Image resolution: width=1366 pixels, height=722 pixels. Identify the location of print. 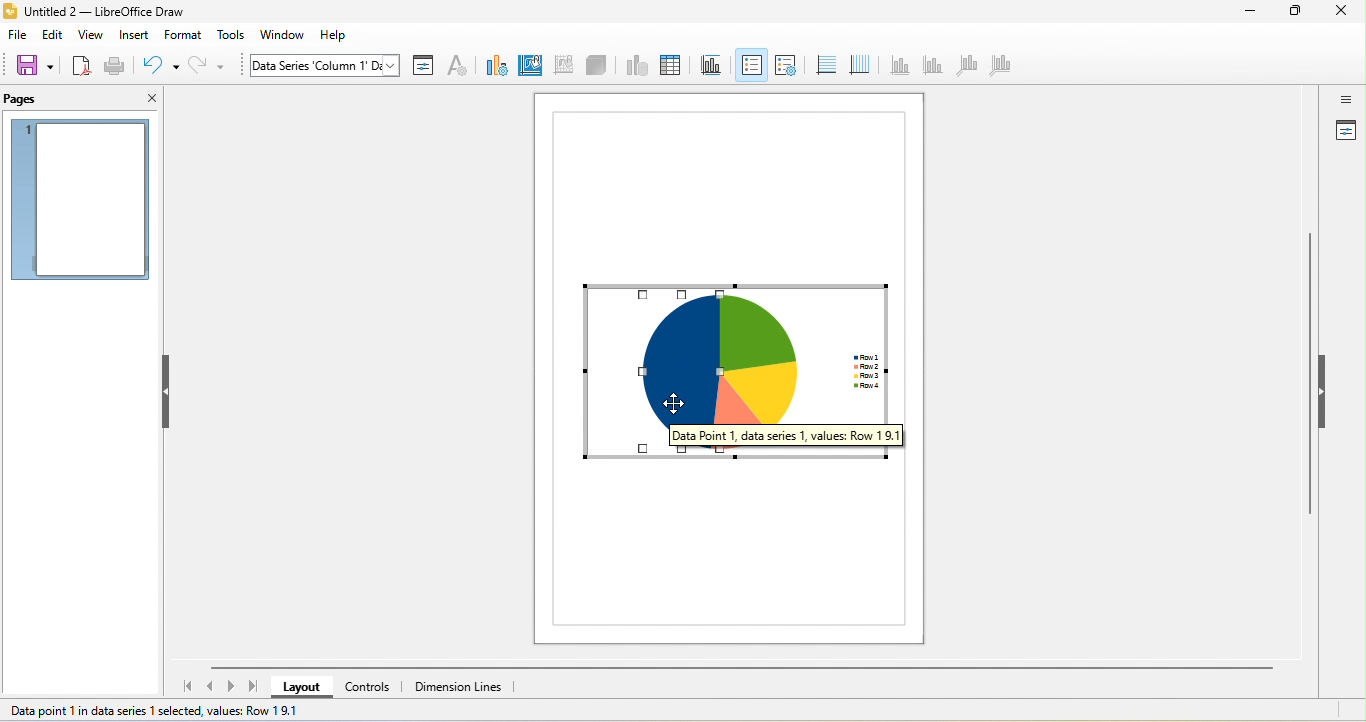
(115, 68).